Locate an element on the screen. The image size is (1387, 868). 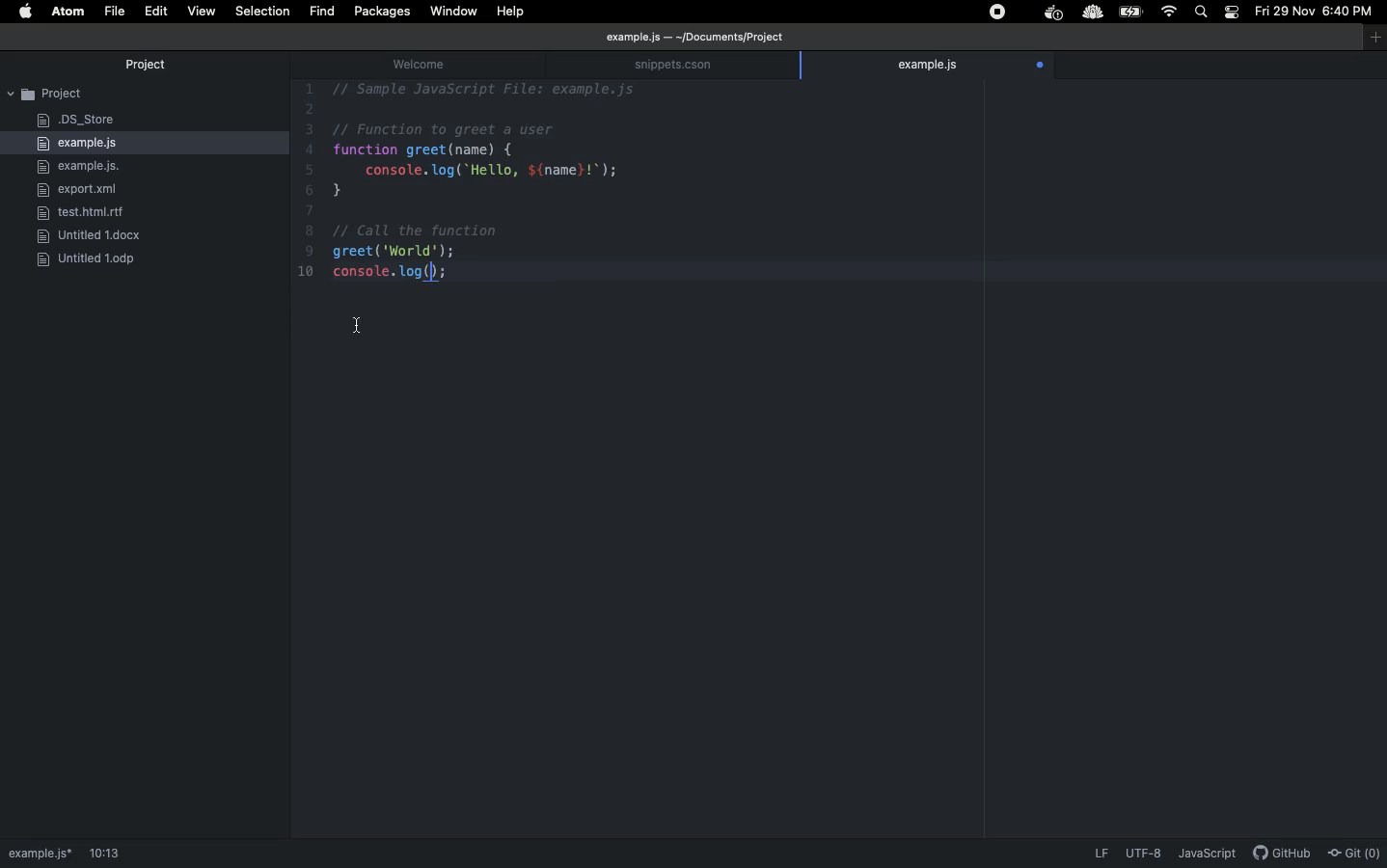
ATOM is located at coordinates (68, 12).